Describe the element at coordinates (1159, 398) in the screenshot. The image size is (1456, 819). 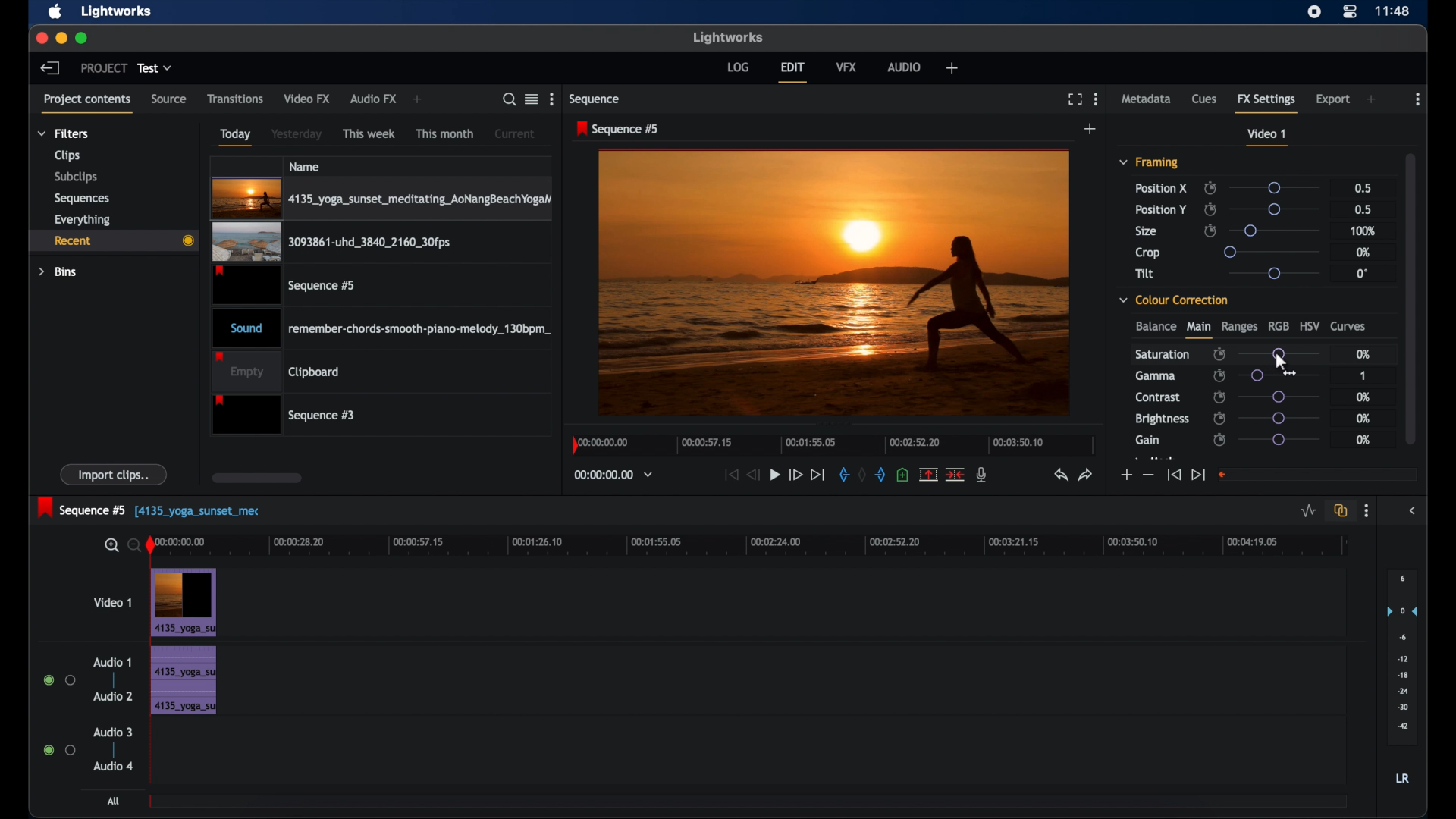
I see `contrast` at that location.